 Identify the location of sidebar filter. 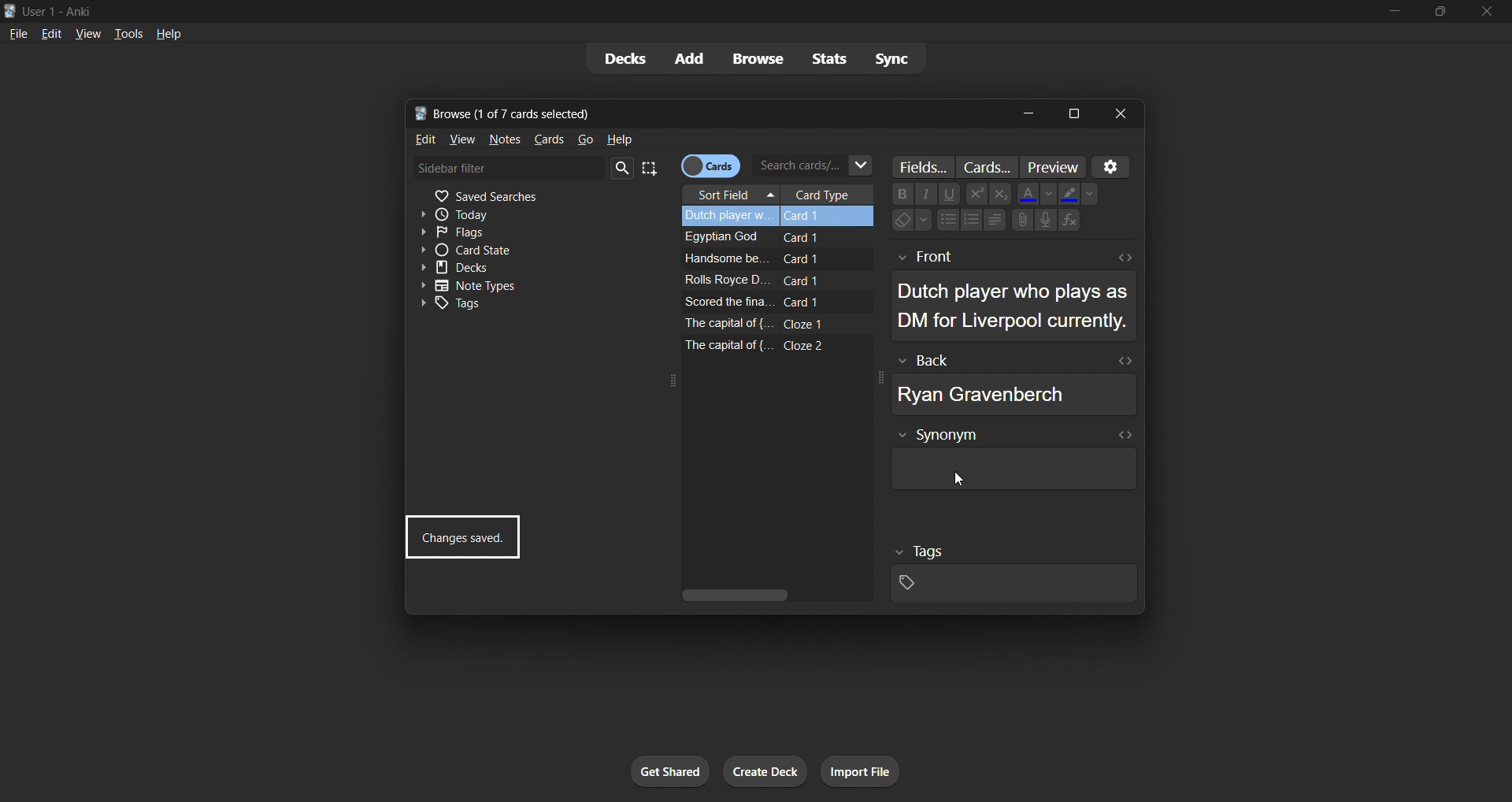
(523, 170).